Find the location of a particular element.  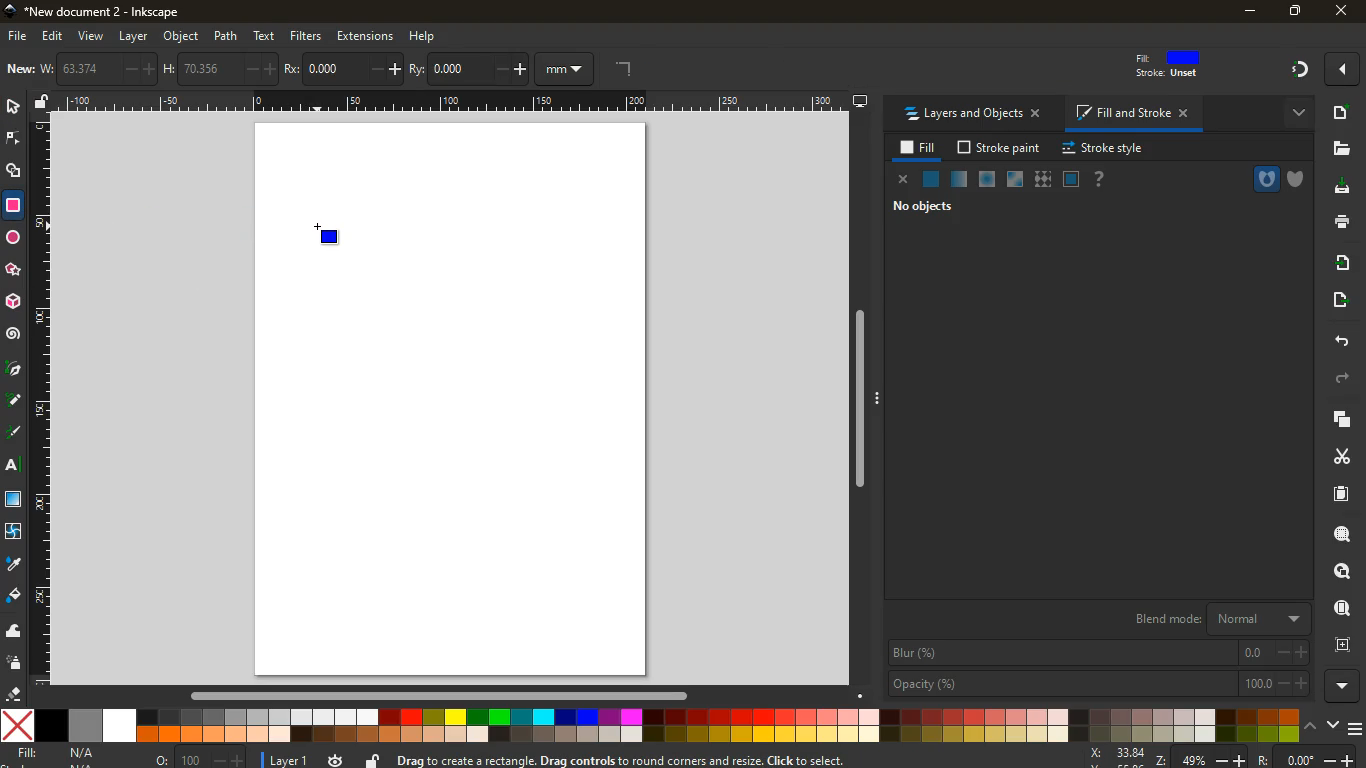

mm is located at coordinates (567, 68).